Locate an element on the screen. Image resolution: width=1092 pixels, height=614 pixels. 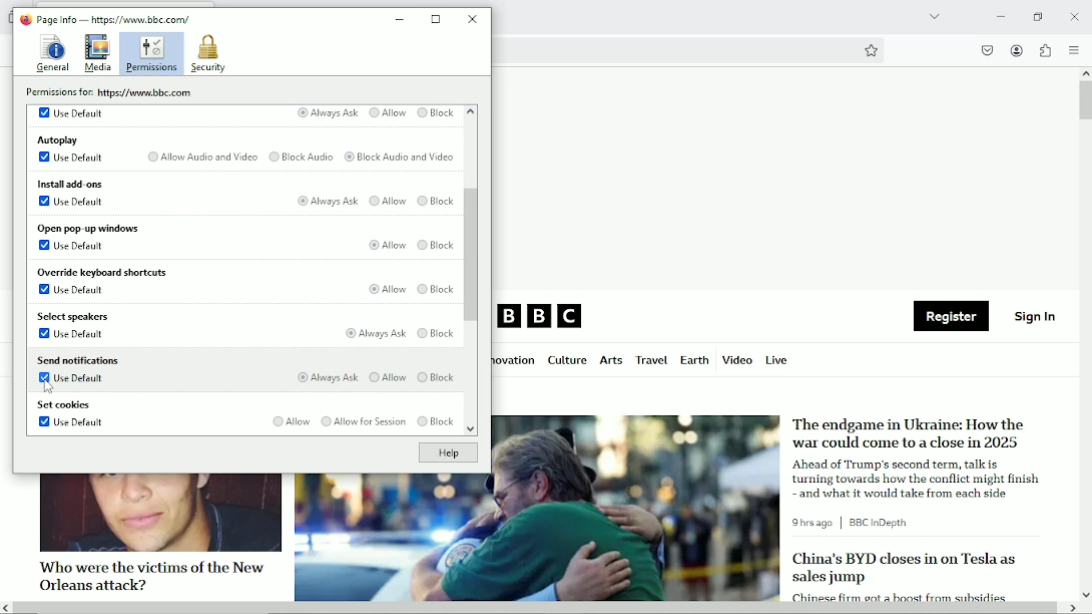
List all tabs is located at coordinates (932, 16).